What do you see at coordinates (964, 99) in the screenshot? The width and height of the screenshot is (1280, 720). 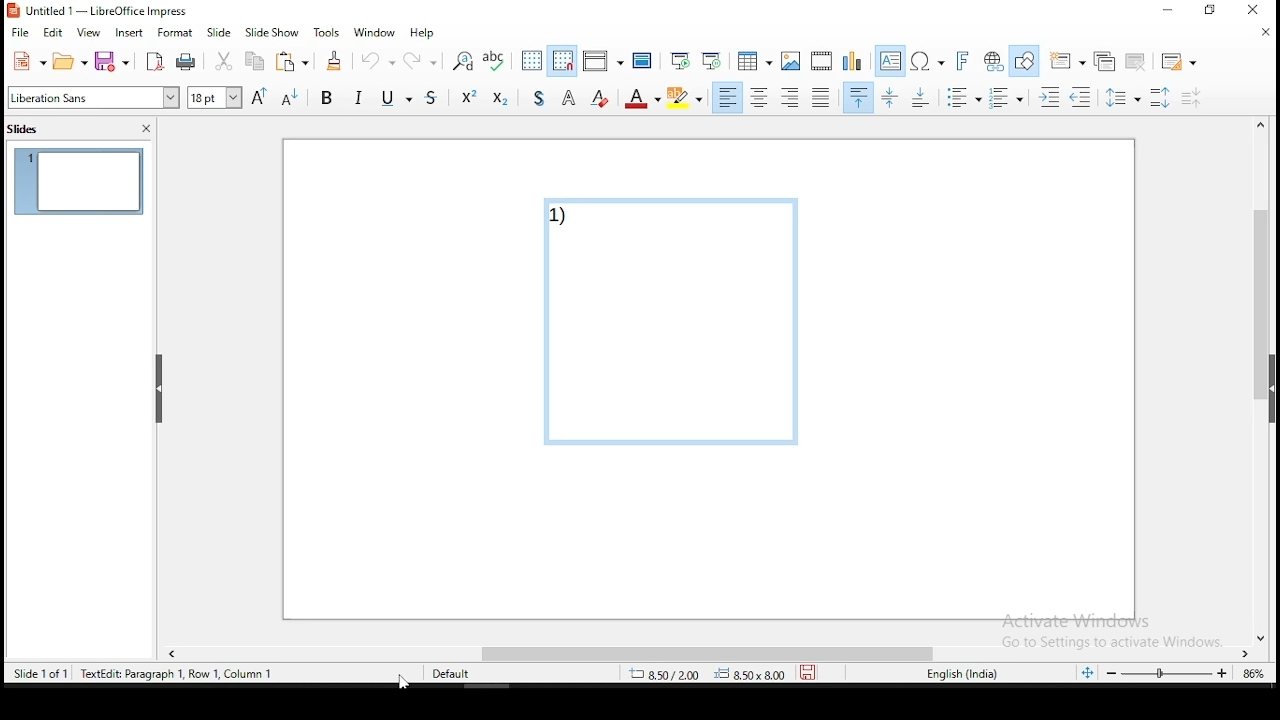 I see `toggle unordered list` at bounding box center [964, 99].